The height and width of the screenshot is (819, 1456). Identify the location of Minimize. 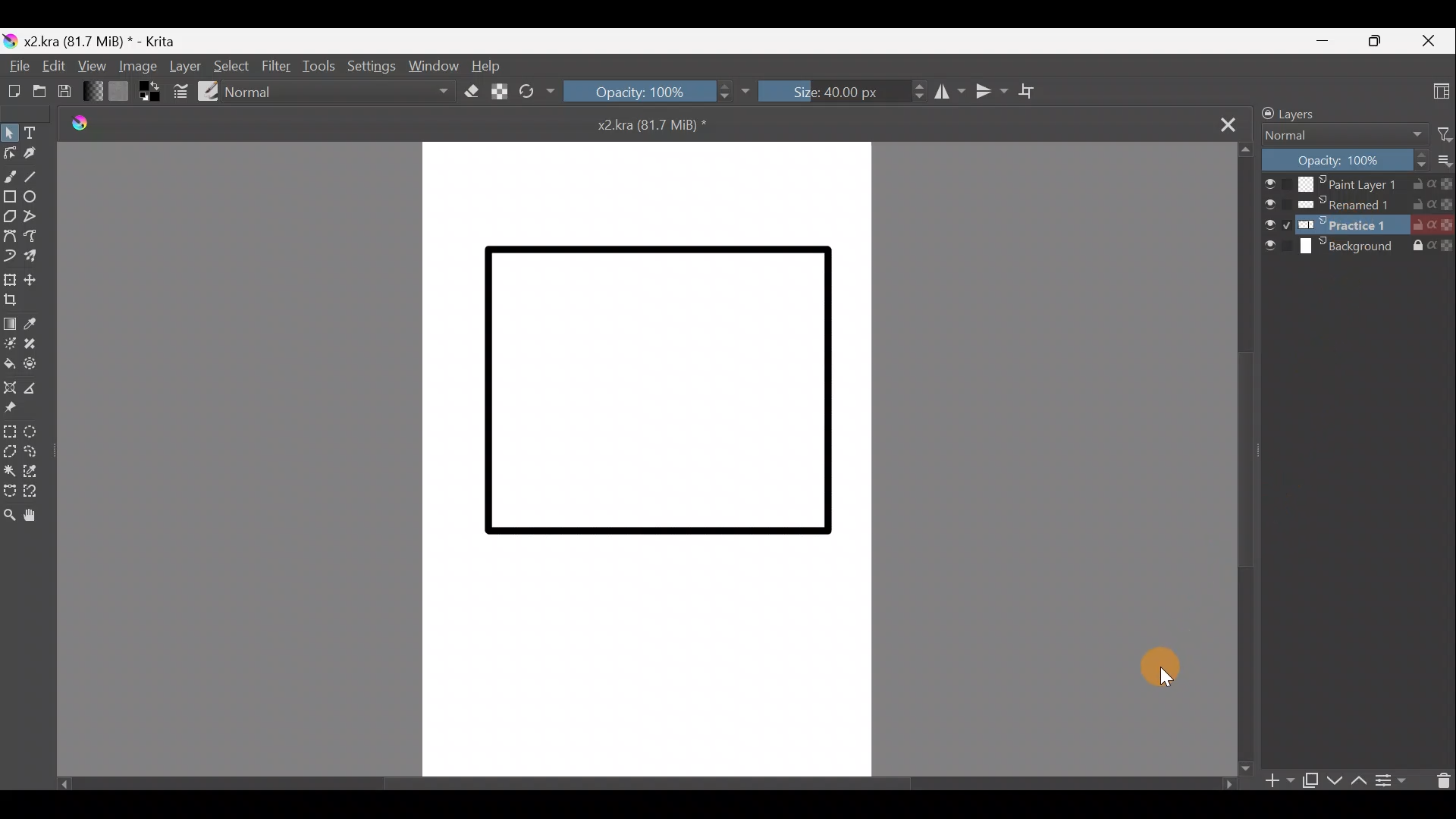
(1324, 42).